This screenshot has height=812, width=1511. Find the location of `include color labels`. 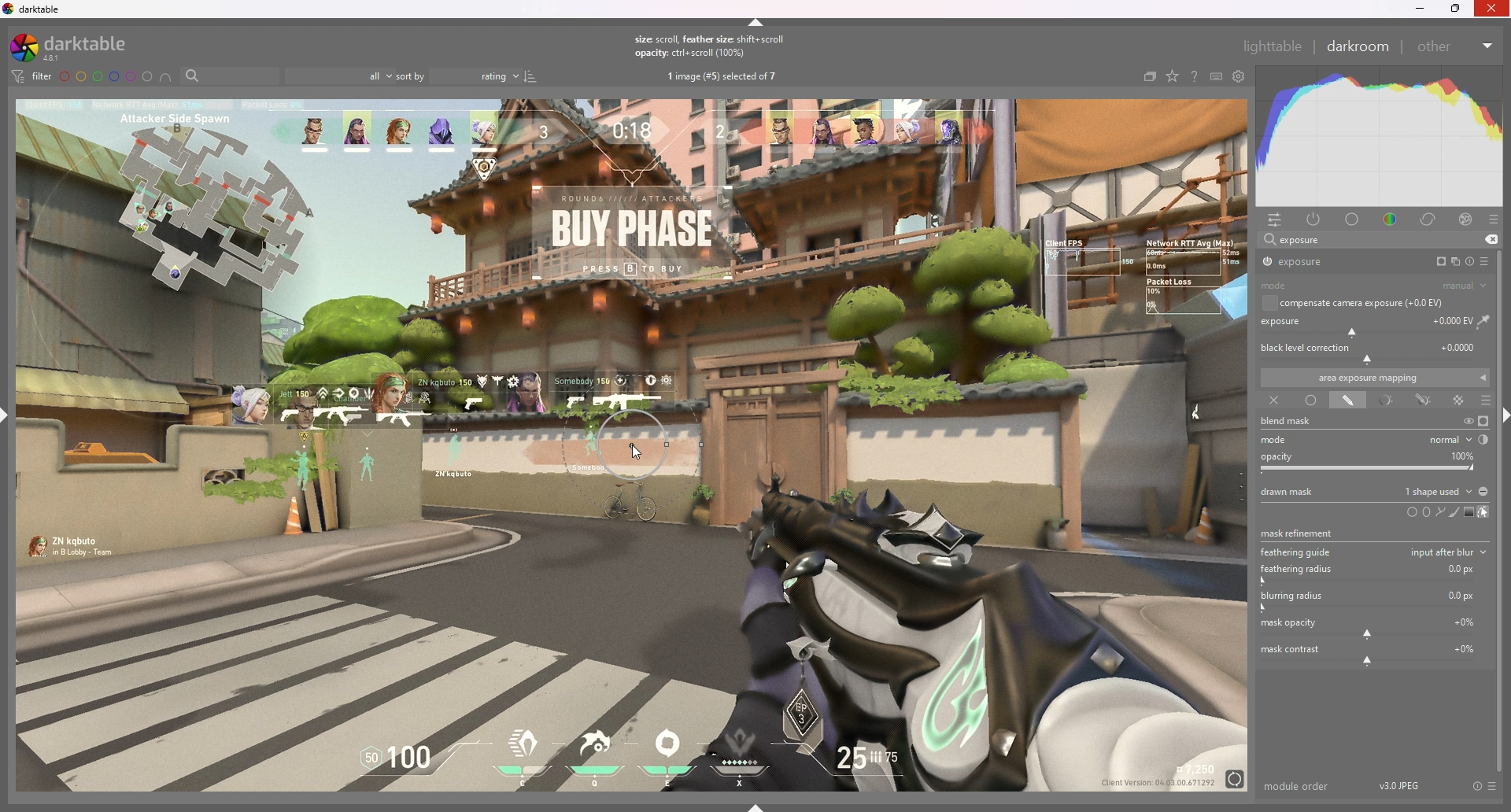

include color labels is located at coordinates (168, 77).